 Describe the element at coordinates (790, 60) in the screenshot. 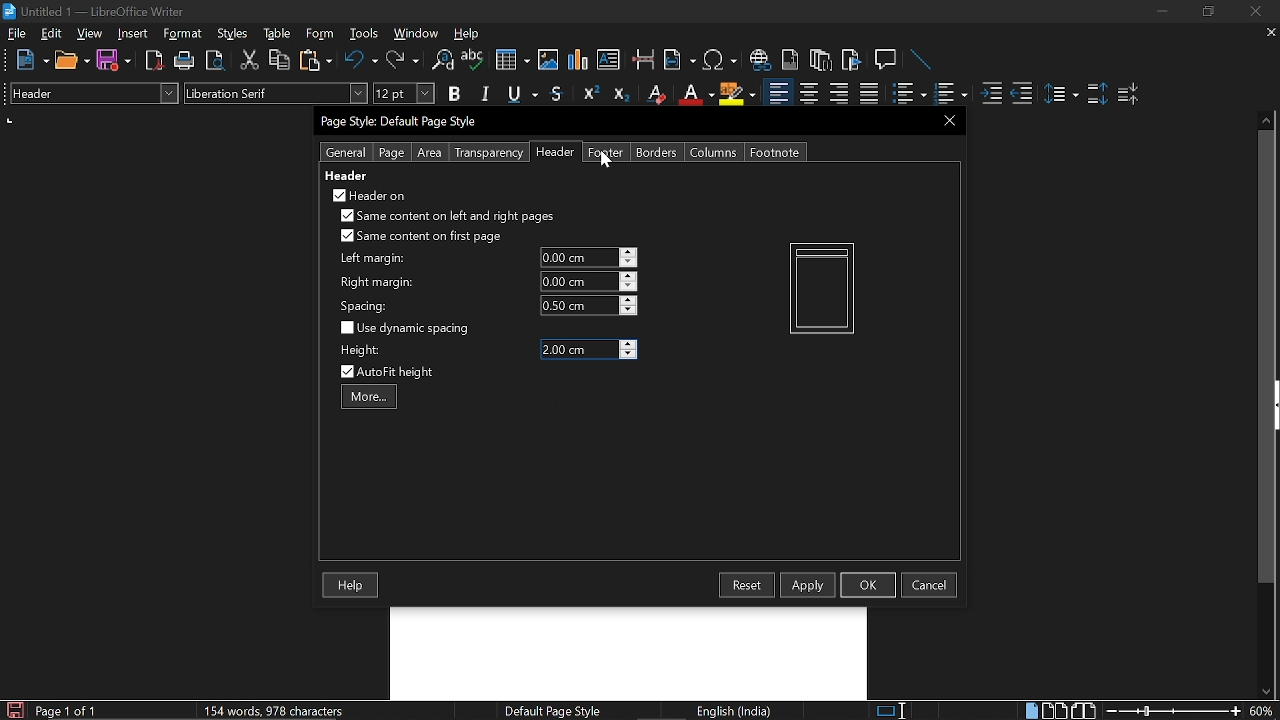

I see `Insert endnote` at that location.